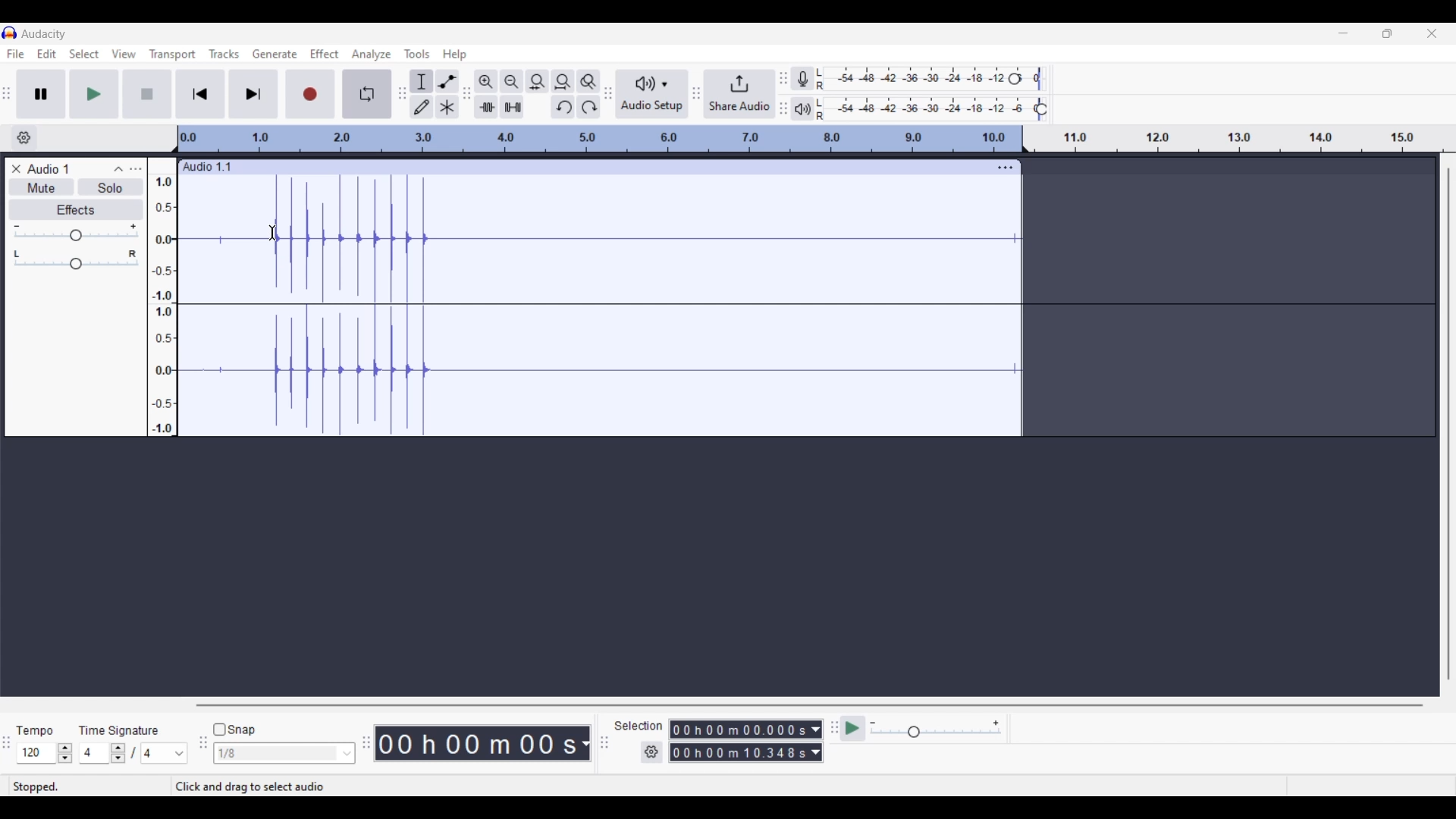  What do you see at coordinates (162, 297) in the screenshot?
I see `Scale to measure audio pitch` at bounding box center [162, 297].